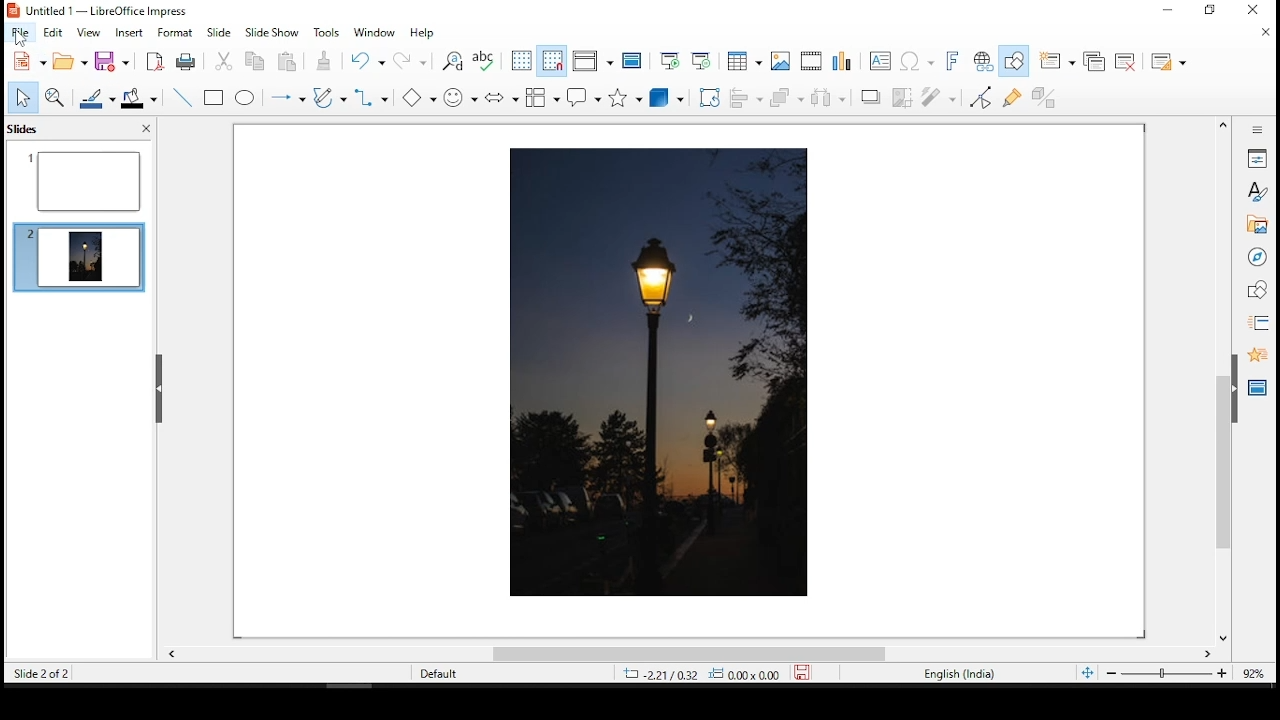  What do you see at coordinates (958, 676) in the screenshot?
I see `English` at bounding box center [958, 676].